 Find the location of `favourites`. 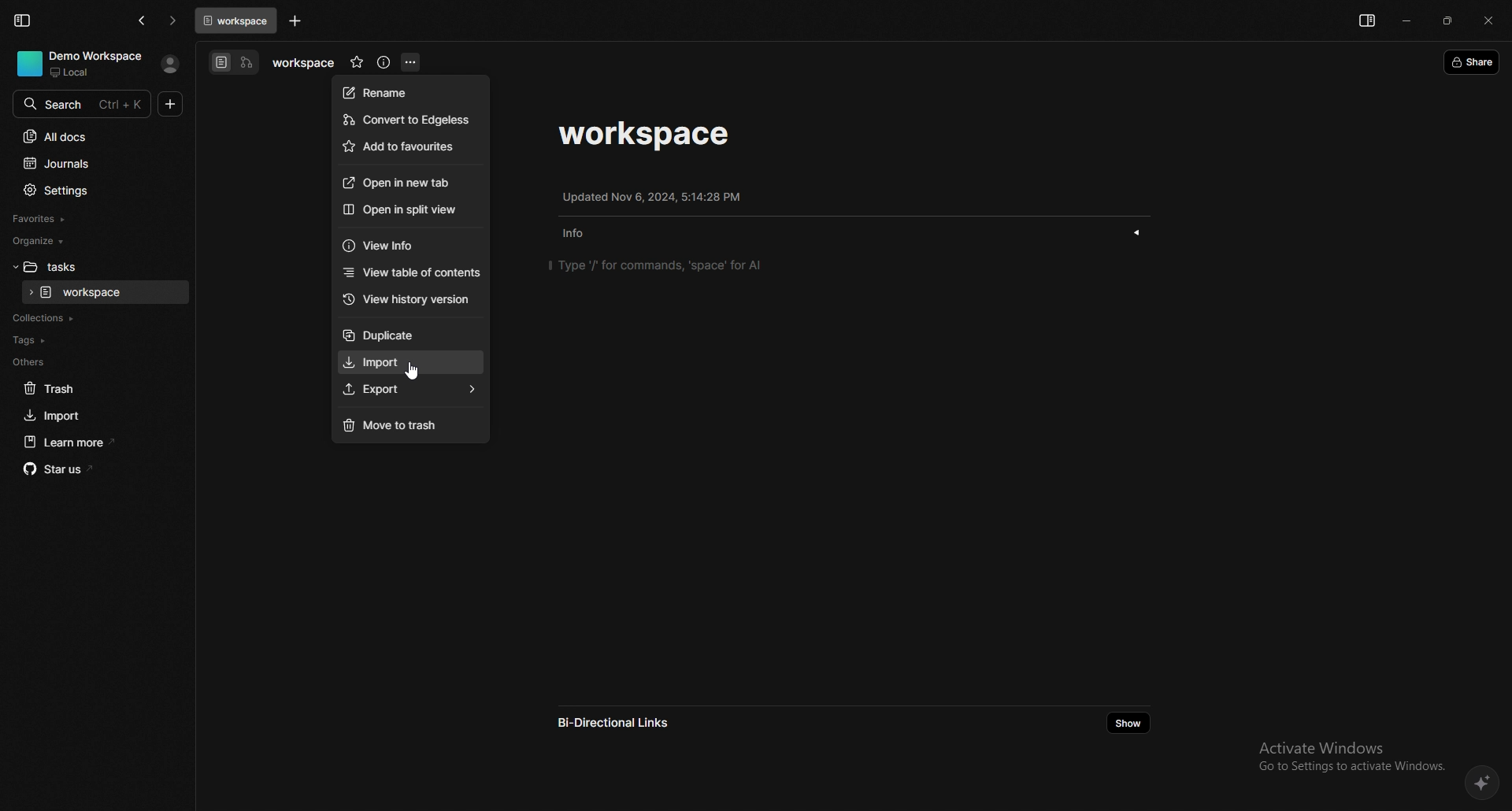

favourites is located at coordinates (87, 220).